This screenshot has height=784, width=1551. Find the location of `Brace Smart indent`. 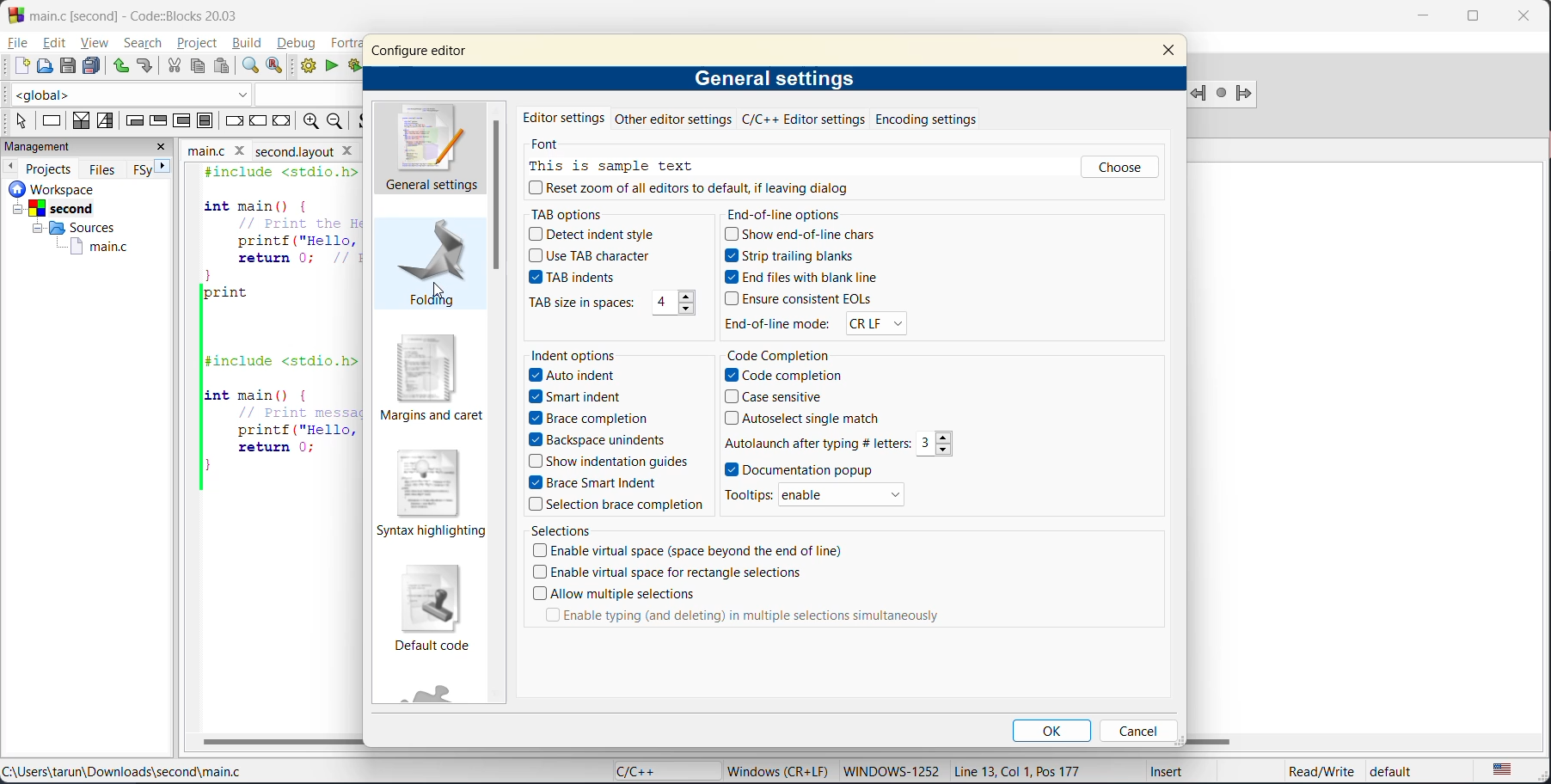

Brace Smart indent is located at coordinates (589, 481).